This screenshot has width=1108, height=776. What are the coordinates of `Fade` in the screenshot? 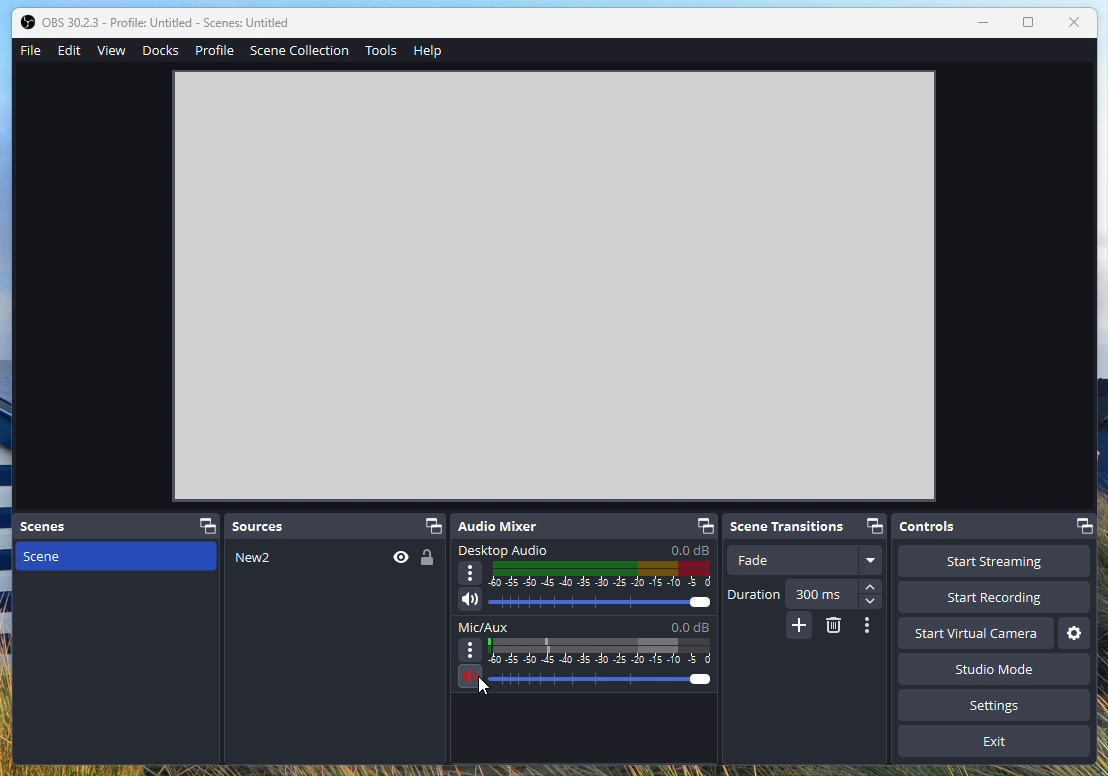 It's located at (808, 559).